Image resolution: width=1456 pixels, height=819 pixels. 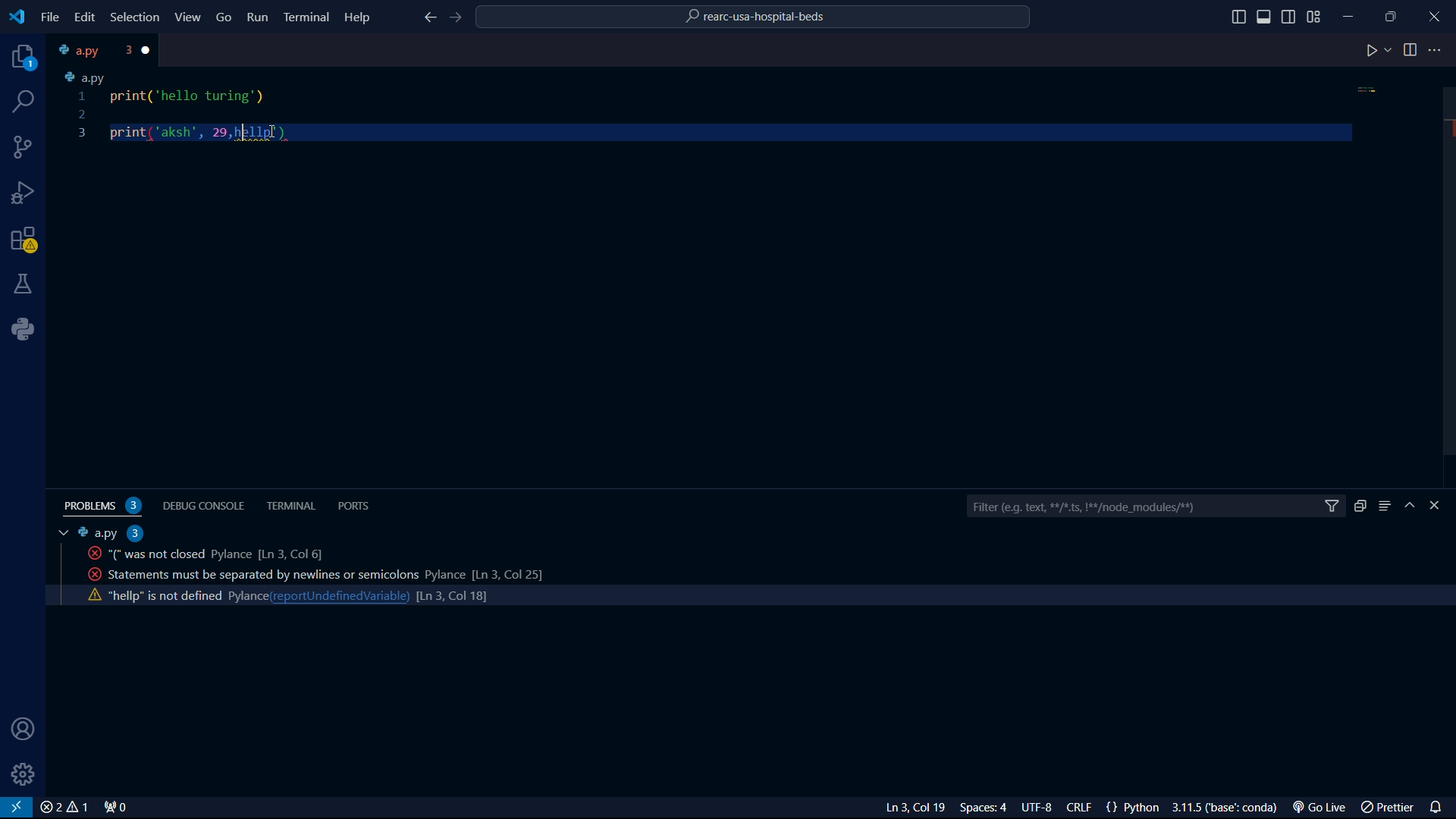 What do you see at coordinates (292, 506) in the screenshot?
I see `terminal` at bounding box center [292, 506].